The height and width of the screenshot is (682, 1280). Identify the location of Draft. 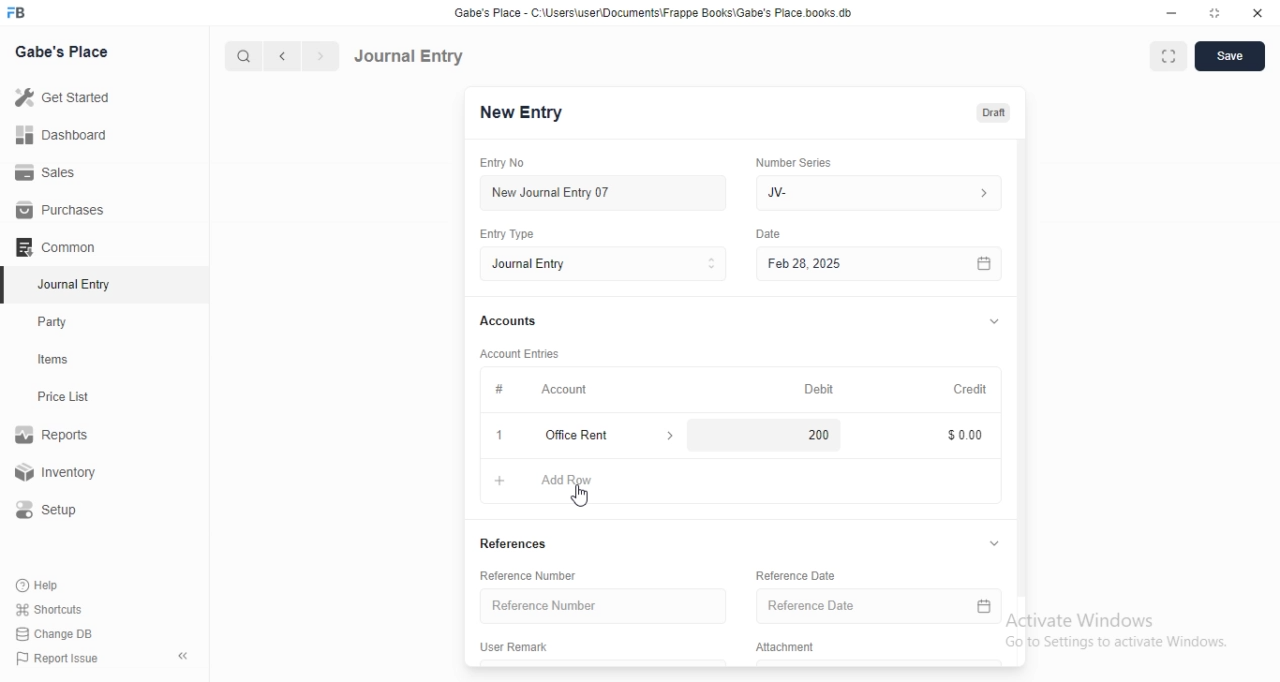
(993, 113).